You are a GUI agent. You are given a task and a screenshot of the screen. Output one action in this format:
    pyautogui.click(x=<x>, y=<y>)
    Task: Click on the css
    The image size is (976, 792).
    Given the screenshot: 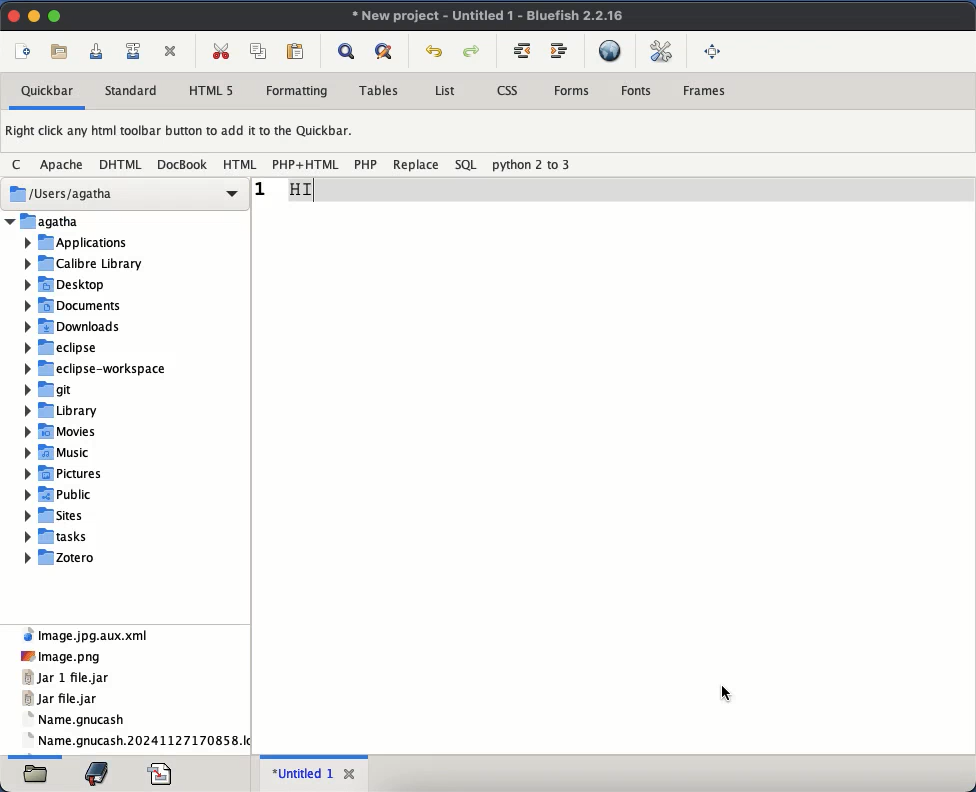 What is the action you would take?
    pyautogui.click(x=510, y=90)
    